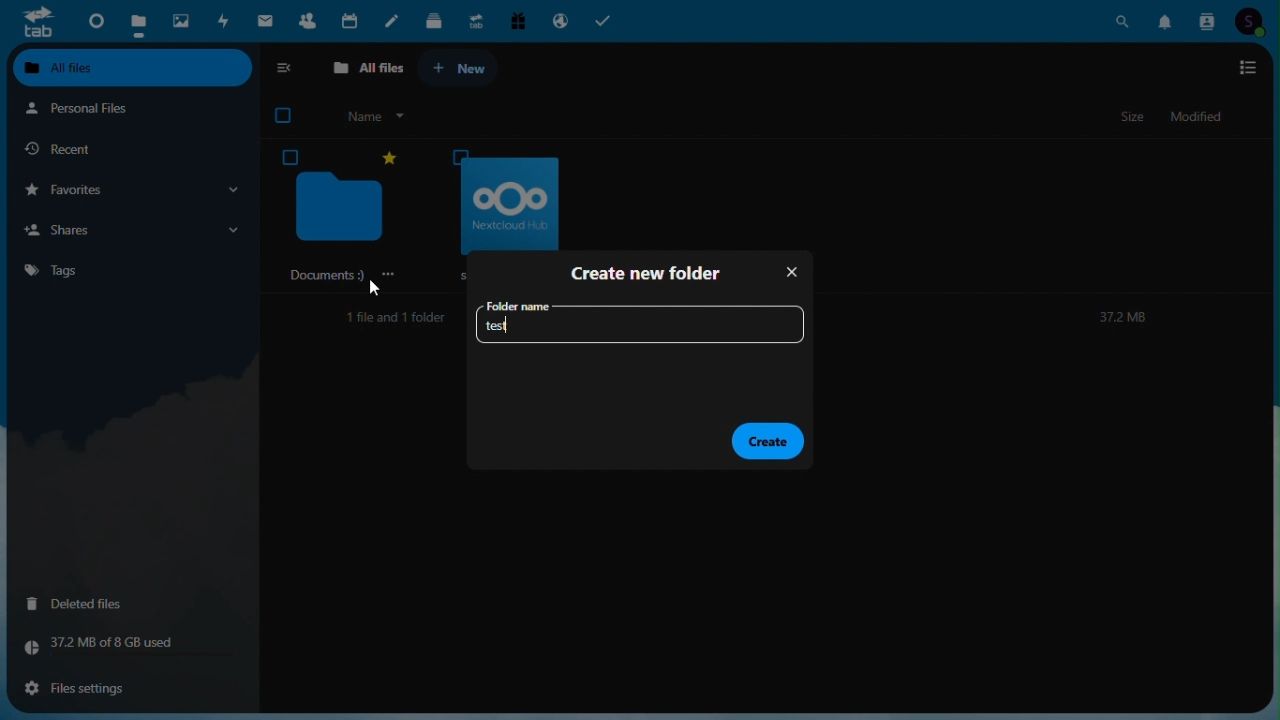 The height and width of the screenshot is (720, 1280). What do you see at coordinates (141, 19) in the screenshot?
I see `Files` at bounding box center [141, 19].